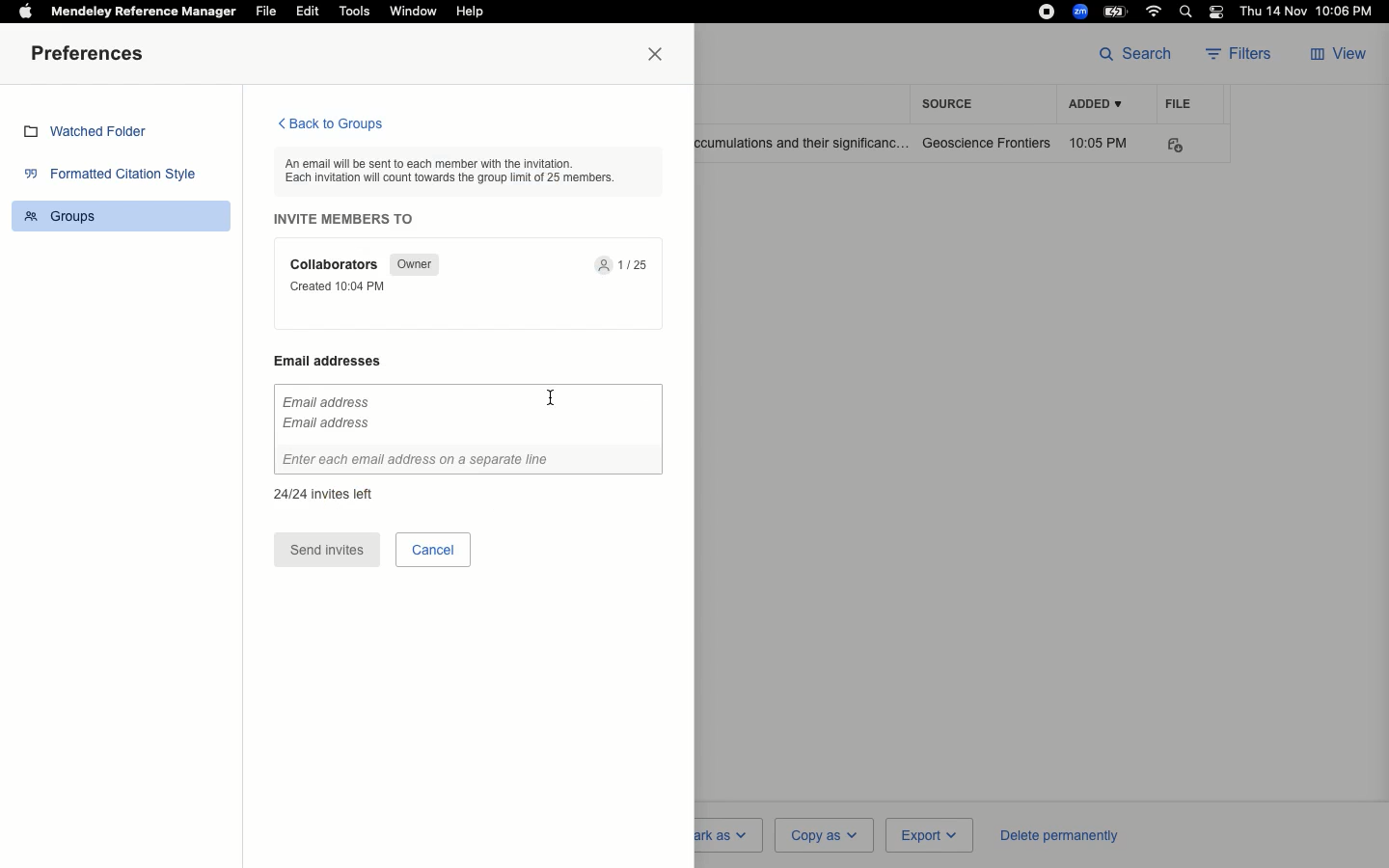  What do you see at coordinates (25, 10) in the screenshot?
I see `Apple logo` at bounding box center [25, 10].